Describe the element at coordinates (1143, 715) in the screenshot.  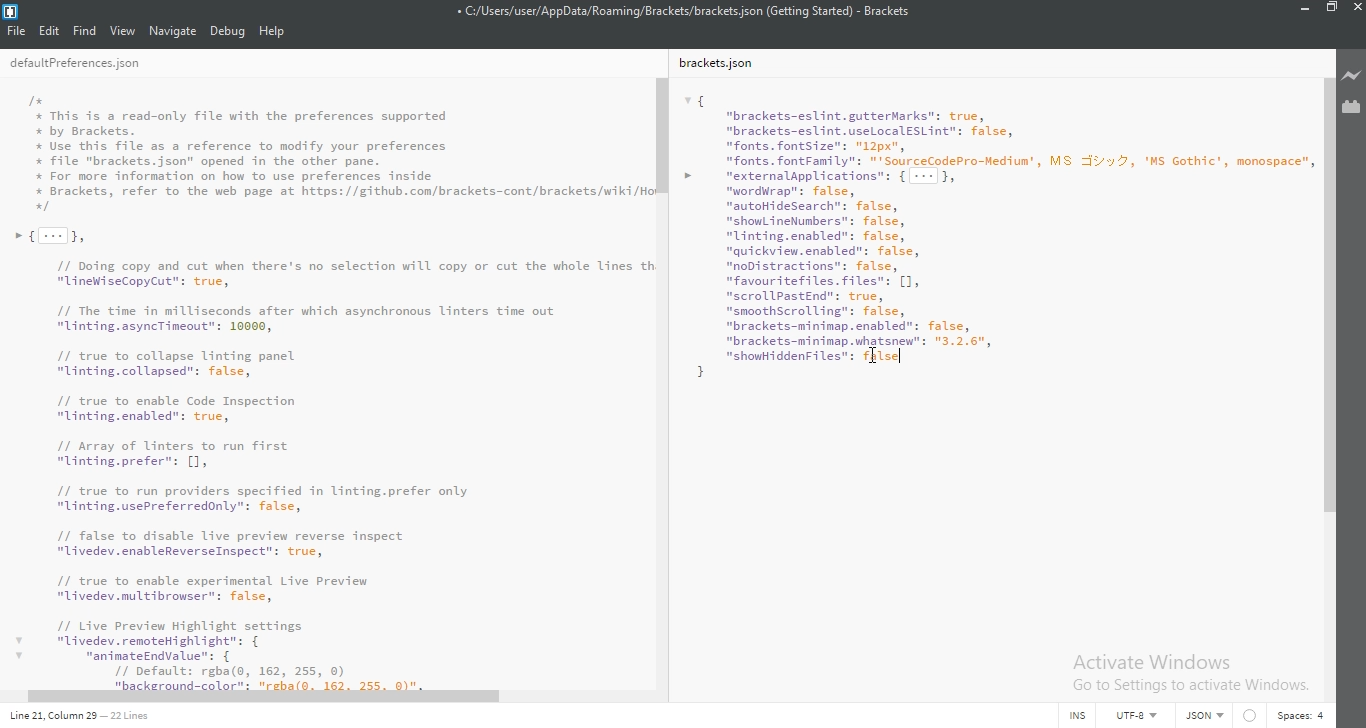
I see `UTF-8` at that location.